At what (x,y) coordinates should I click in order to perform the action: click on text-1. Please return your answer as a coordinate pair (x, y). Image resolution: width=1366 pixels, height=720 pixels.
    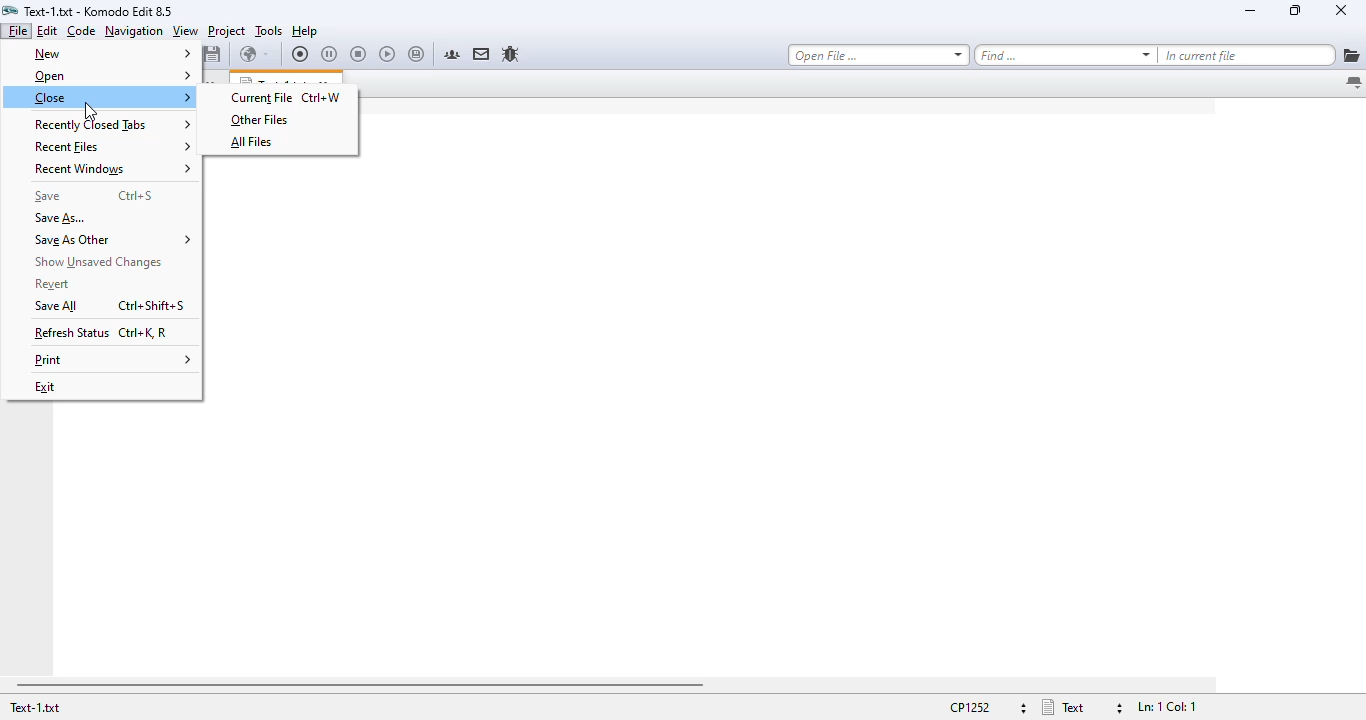
    Looking at the image, I should click on (34, 707).